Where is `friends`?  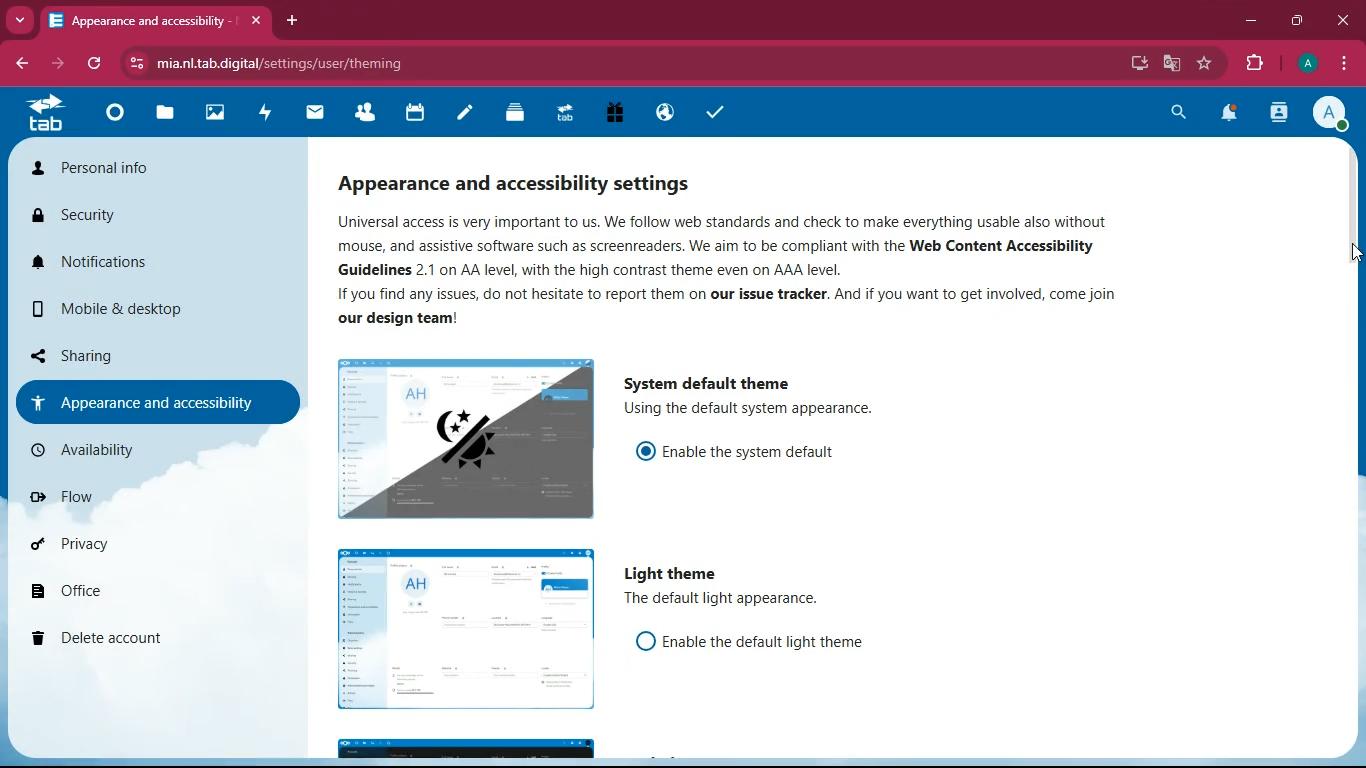 friends is located at coordinates (366, 116).